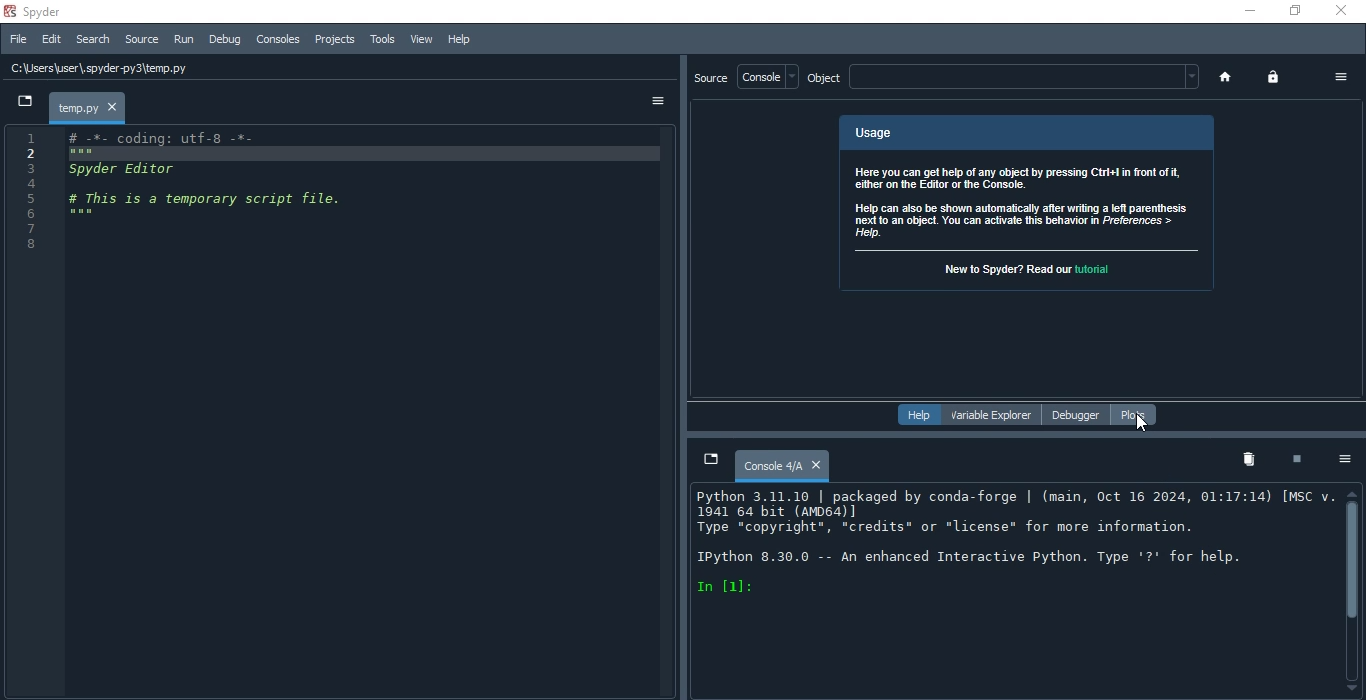 The height and width of the screenshot is (700, 1366). I want to click on source, so click(714, 78).